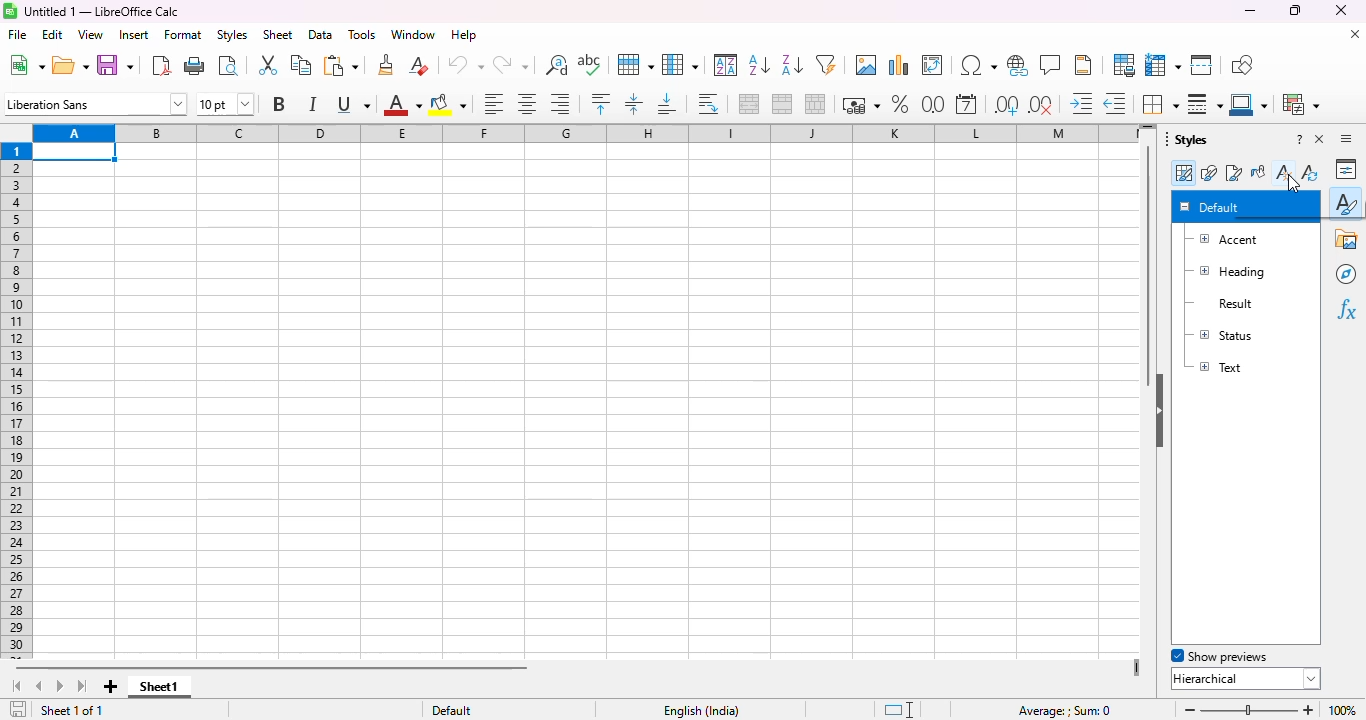 The image size is (1366, 720). I want to click on text language, so click(700, 711).